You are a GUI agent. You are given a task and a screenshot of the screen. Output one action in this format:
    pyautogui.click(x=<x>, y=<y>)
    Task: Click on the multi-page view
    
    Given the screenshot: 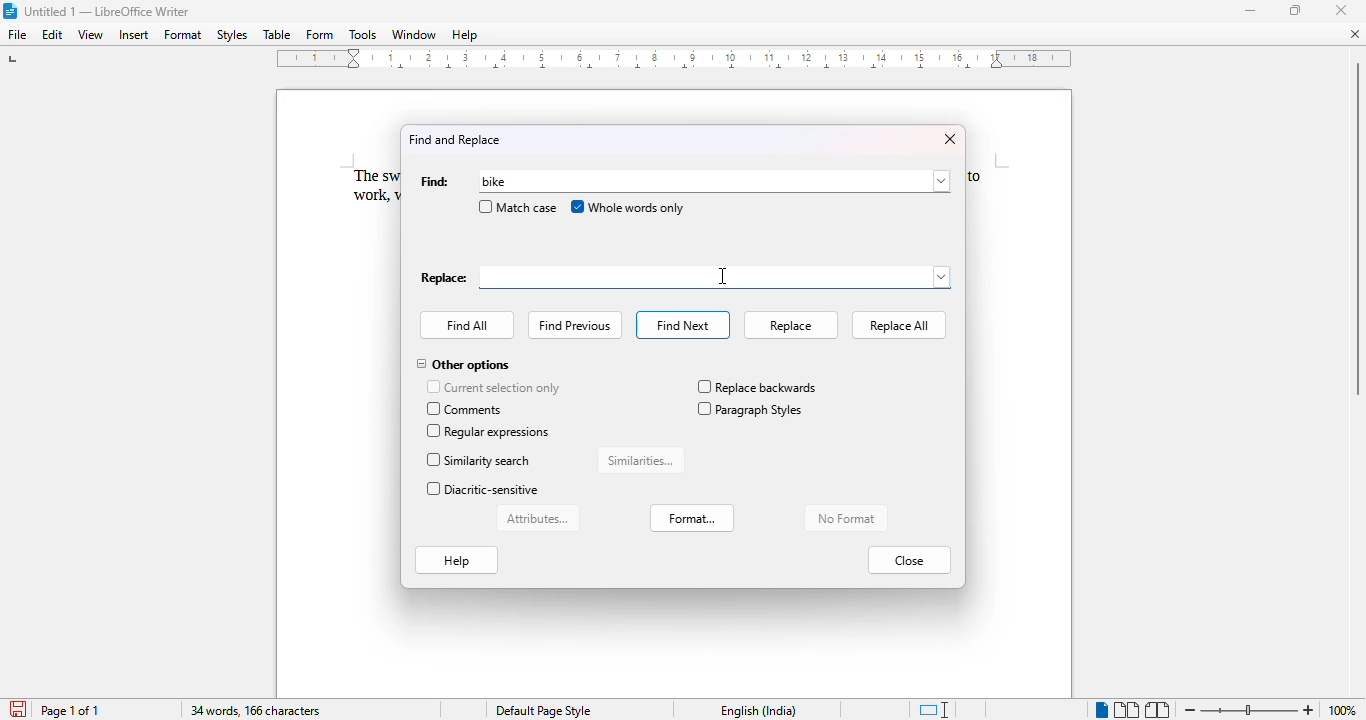 What is the action you would take?
    pyautogui.click(x=1127, y=710)
    